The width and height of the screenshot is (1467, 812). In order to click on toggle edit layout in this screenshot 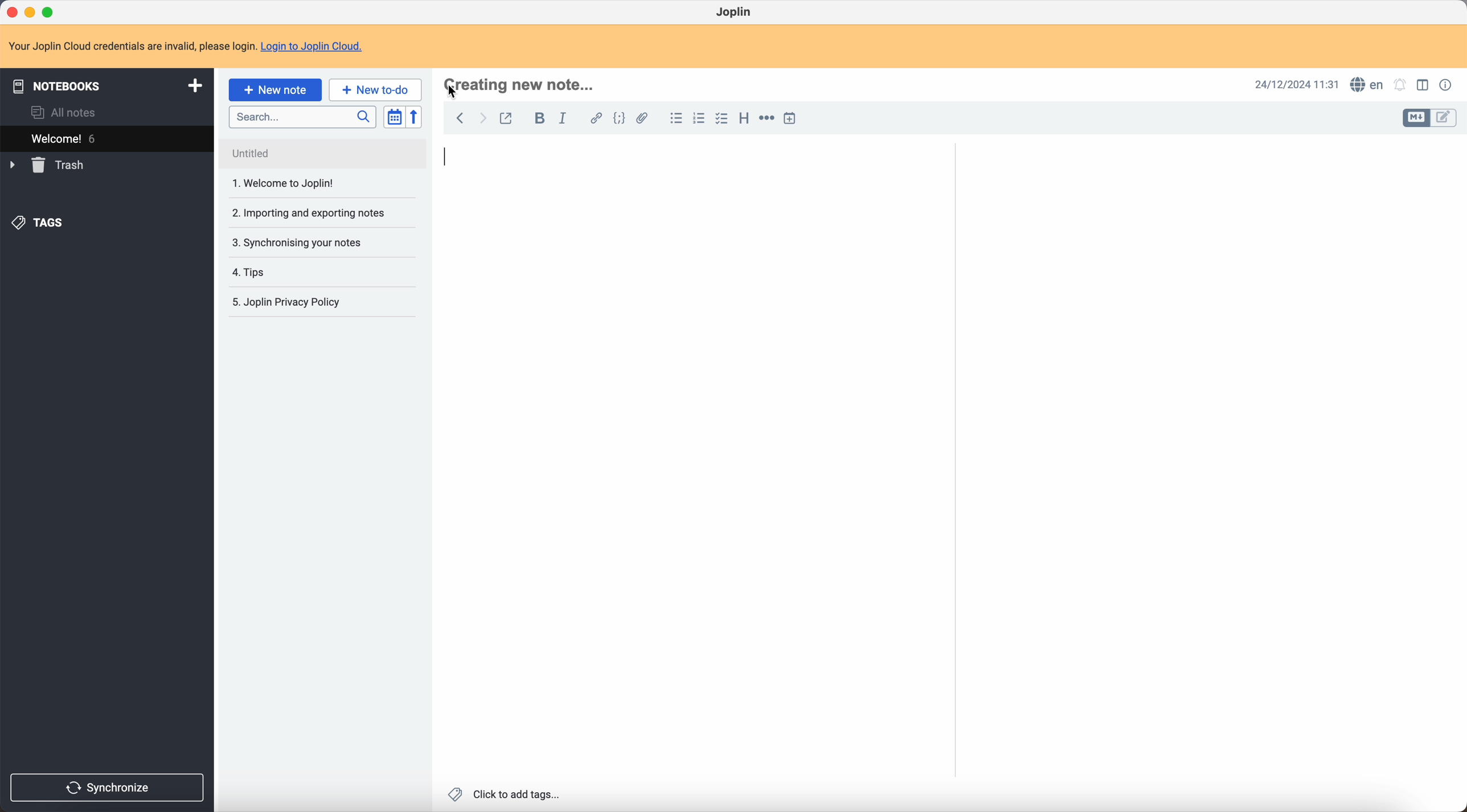, I will do `click(1444, 118)`.